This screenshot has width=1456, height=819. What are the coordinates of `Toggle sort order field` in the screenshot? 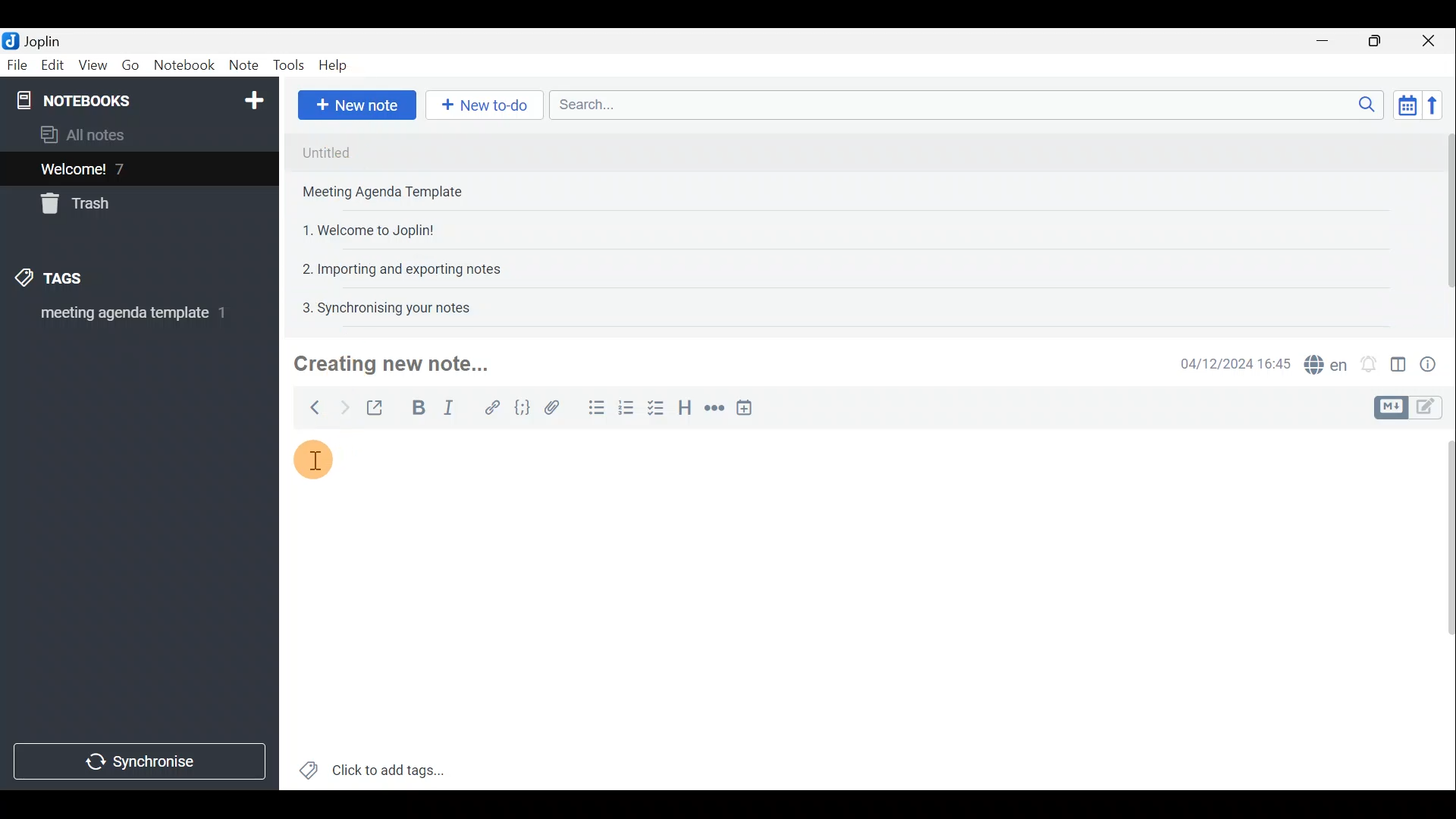 It's located at (1402, 105).